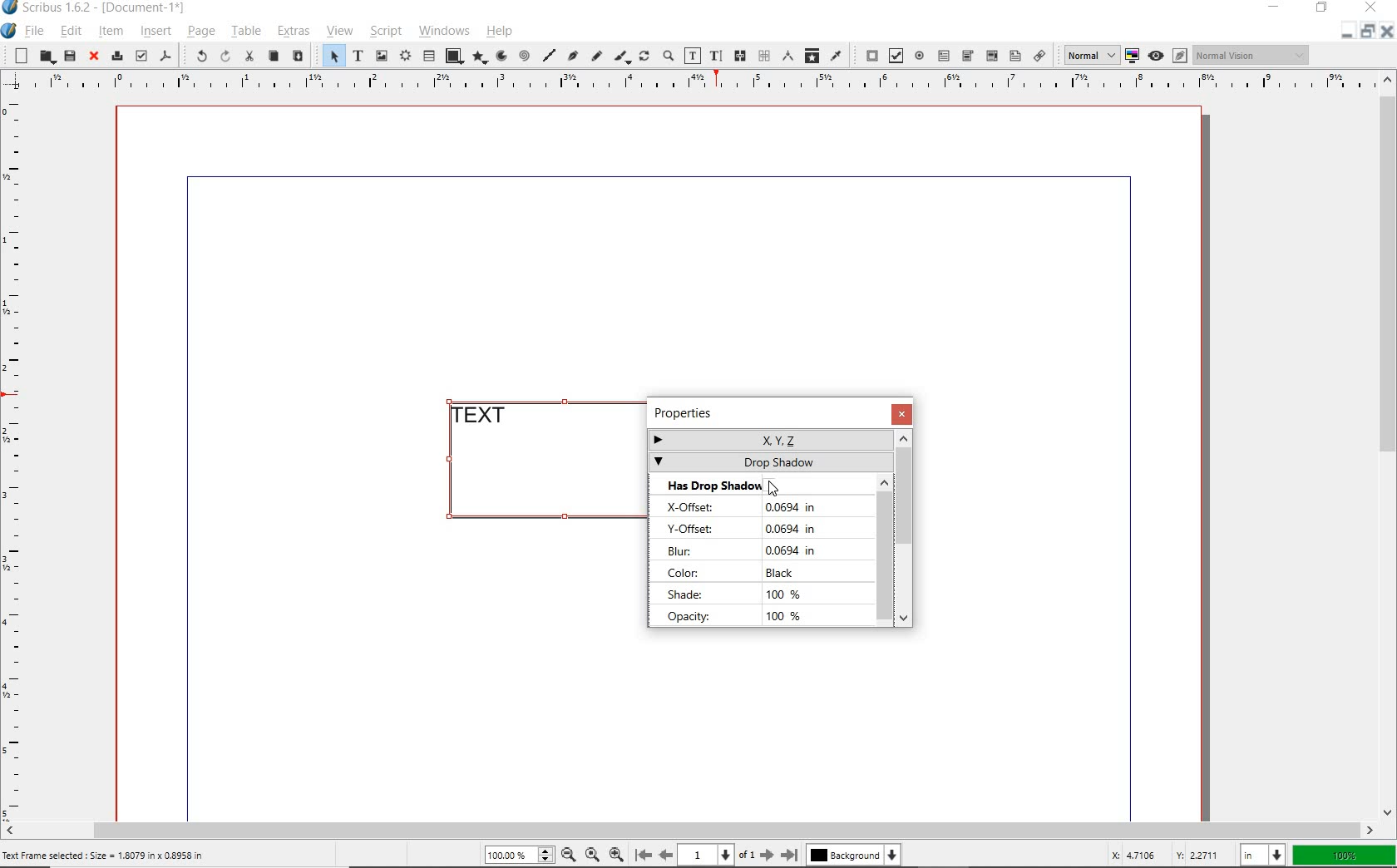 The height and width of the screenshot is (868, 1397). Describe the element at coordinates (811, 55) in the screenshot. I see `copy item properties` at that location.